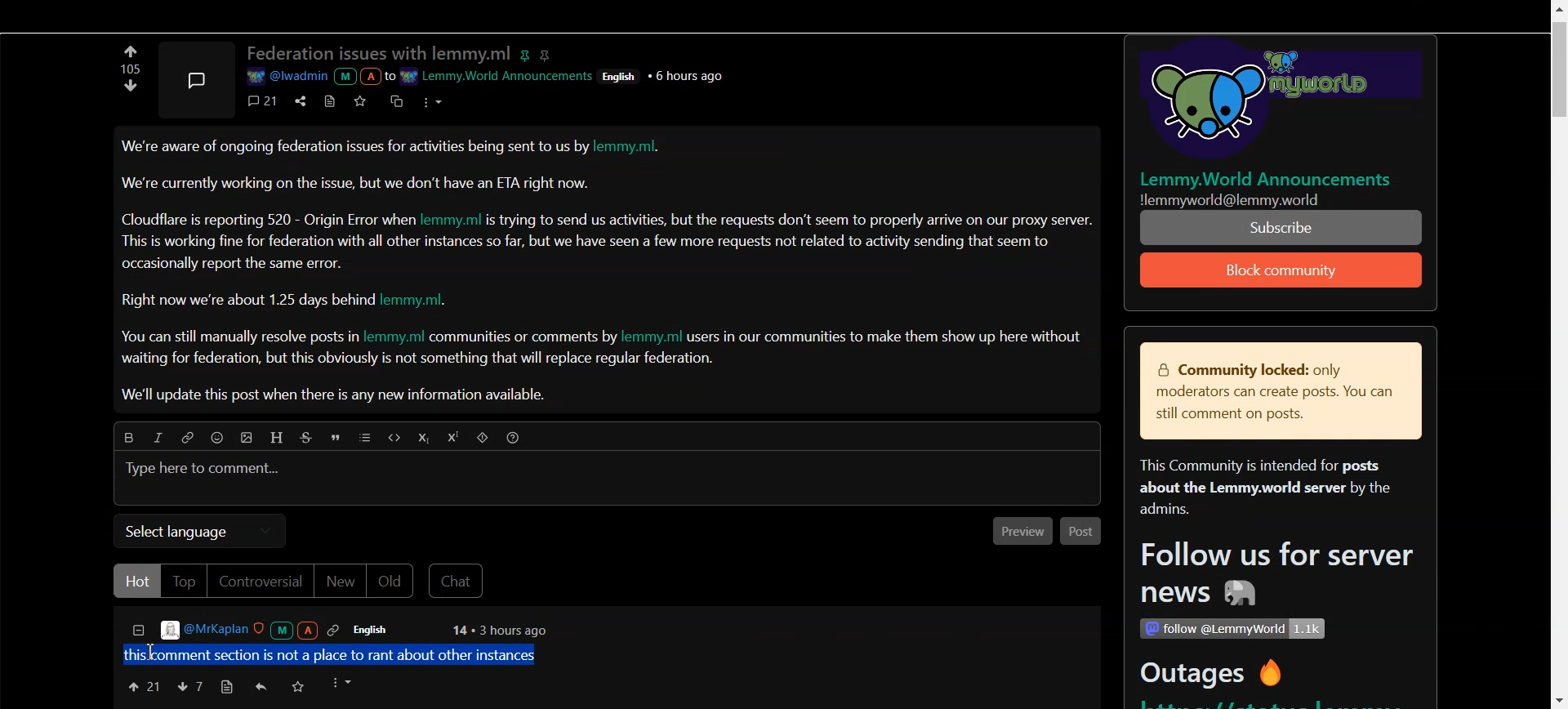  Describe the element at coordinates (262, 687) in the screenshot. I see `Reply` at that location.